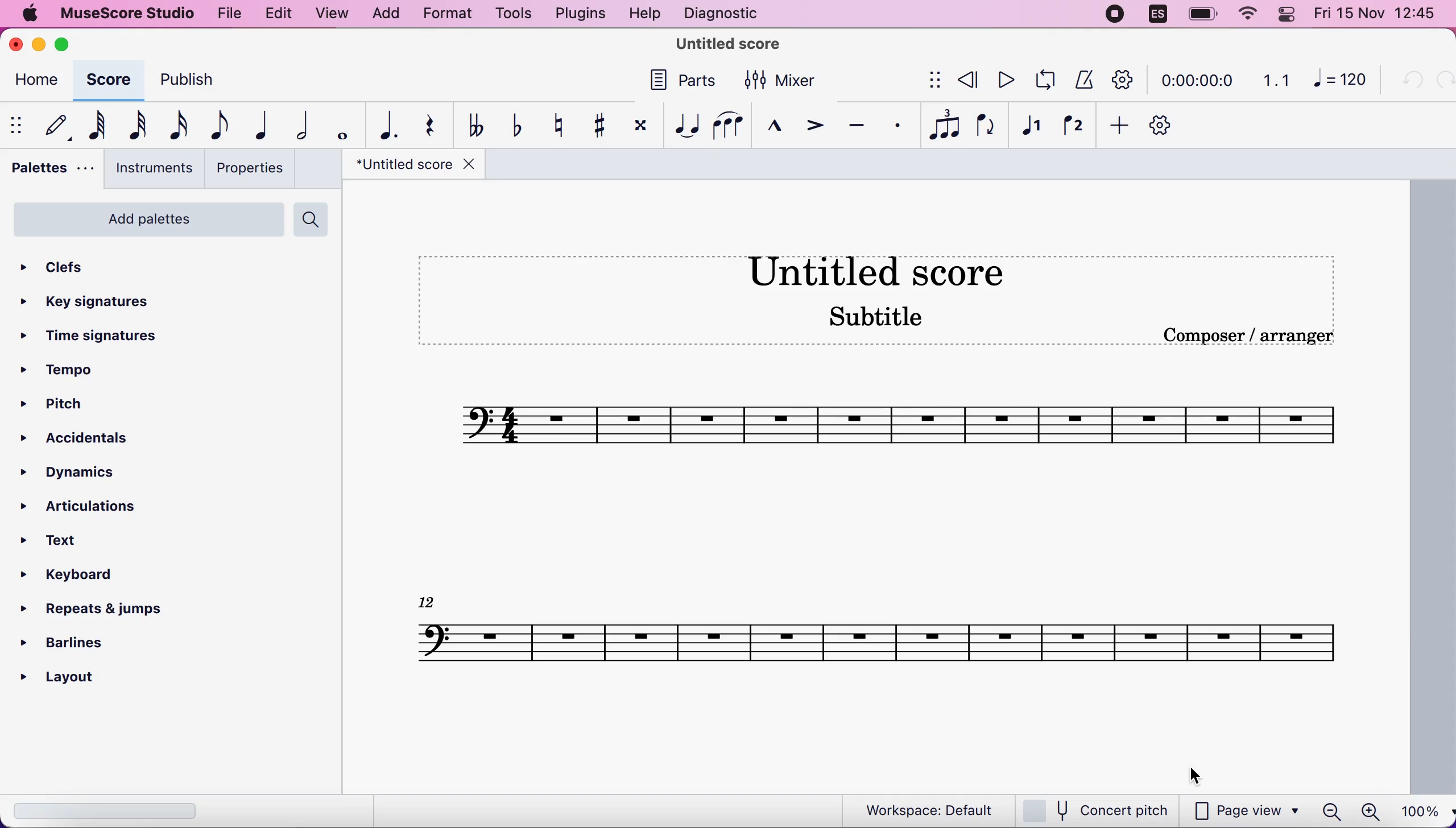 The height and width of the screenshot is (828, 1456). What do you see at coordinates (230, 15) in the screenshot?
I see `file` at bounding box center [230, 15].